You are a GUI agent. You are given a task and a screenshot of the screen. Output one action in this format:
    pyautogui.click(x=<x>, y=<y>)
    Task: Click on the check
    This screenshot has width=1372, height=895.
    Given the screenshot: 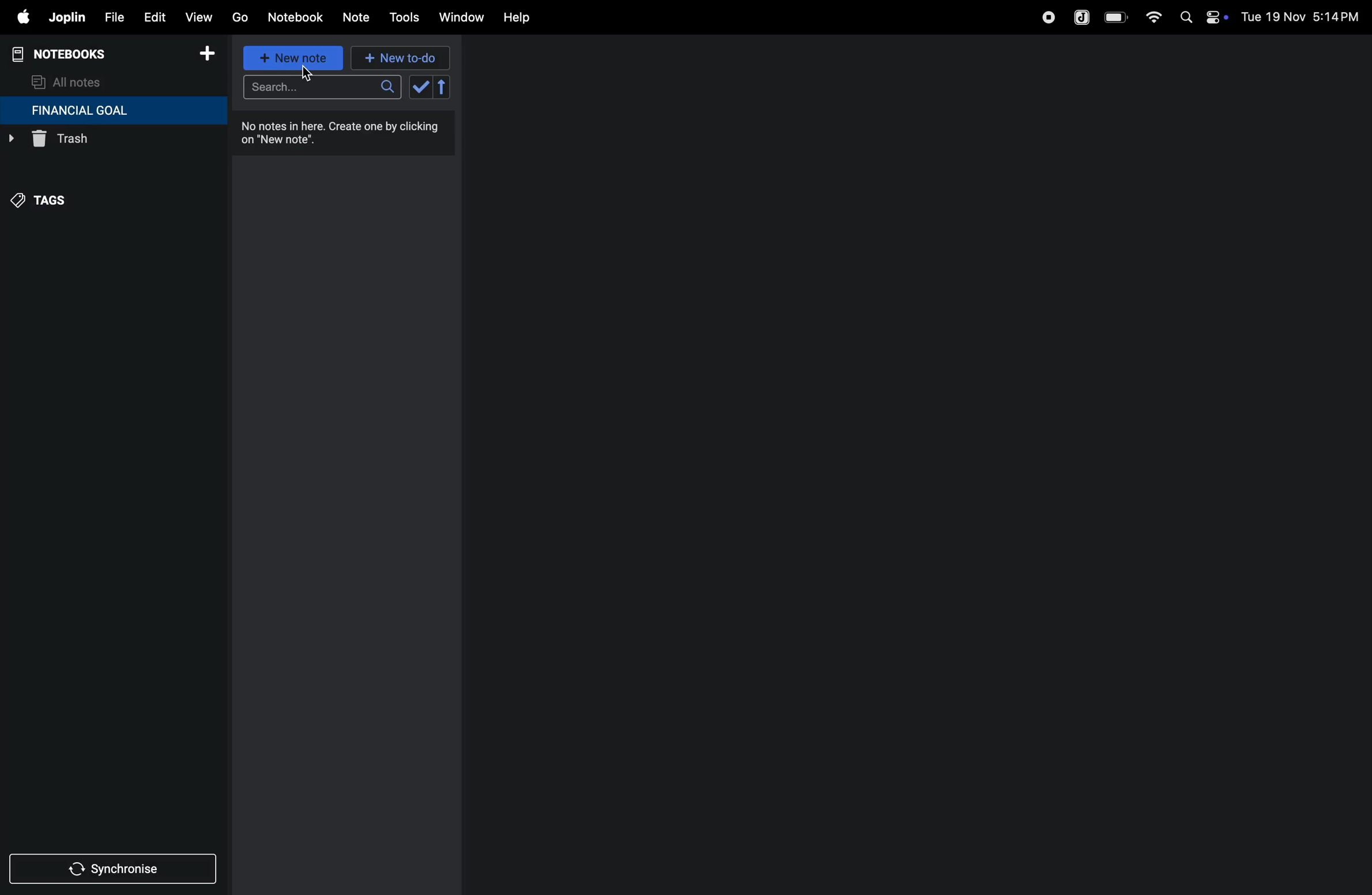 What is the action you would take?
    pyautogui.click(x=419, y=88)
    